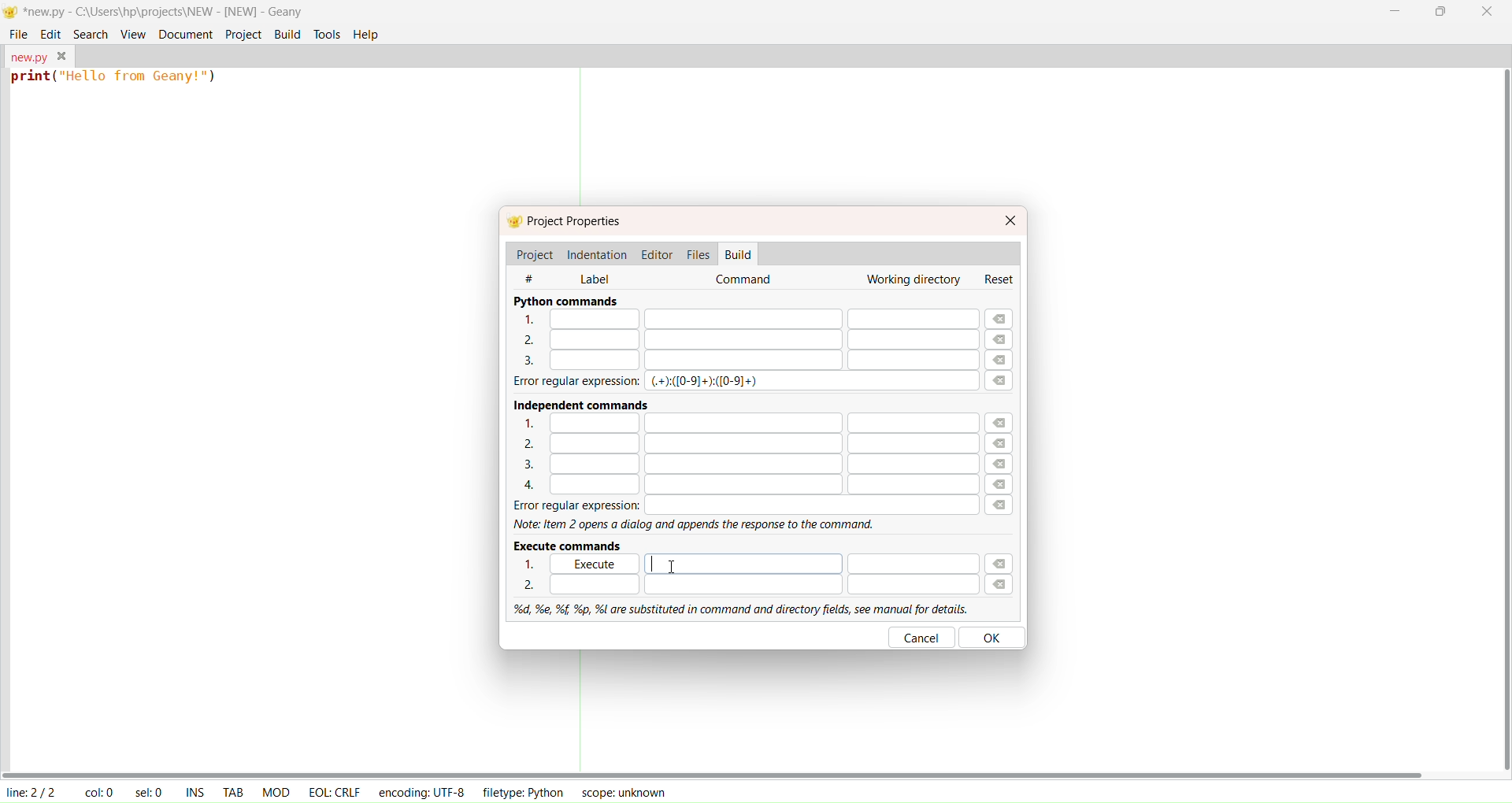 The height and width of the screenshot is (803, 1512). I want to click on encoding: UTF -8, so click(422, 791).